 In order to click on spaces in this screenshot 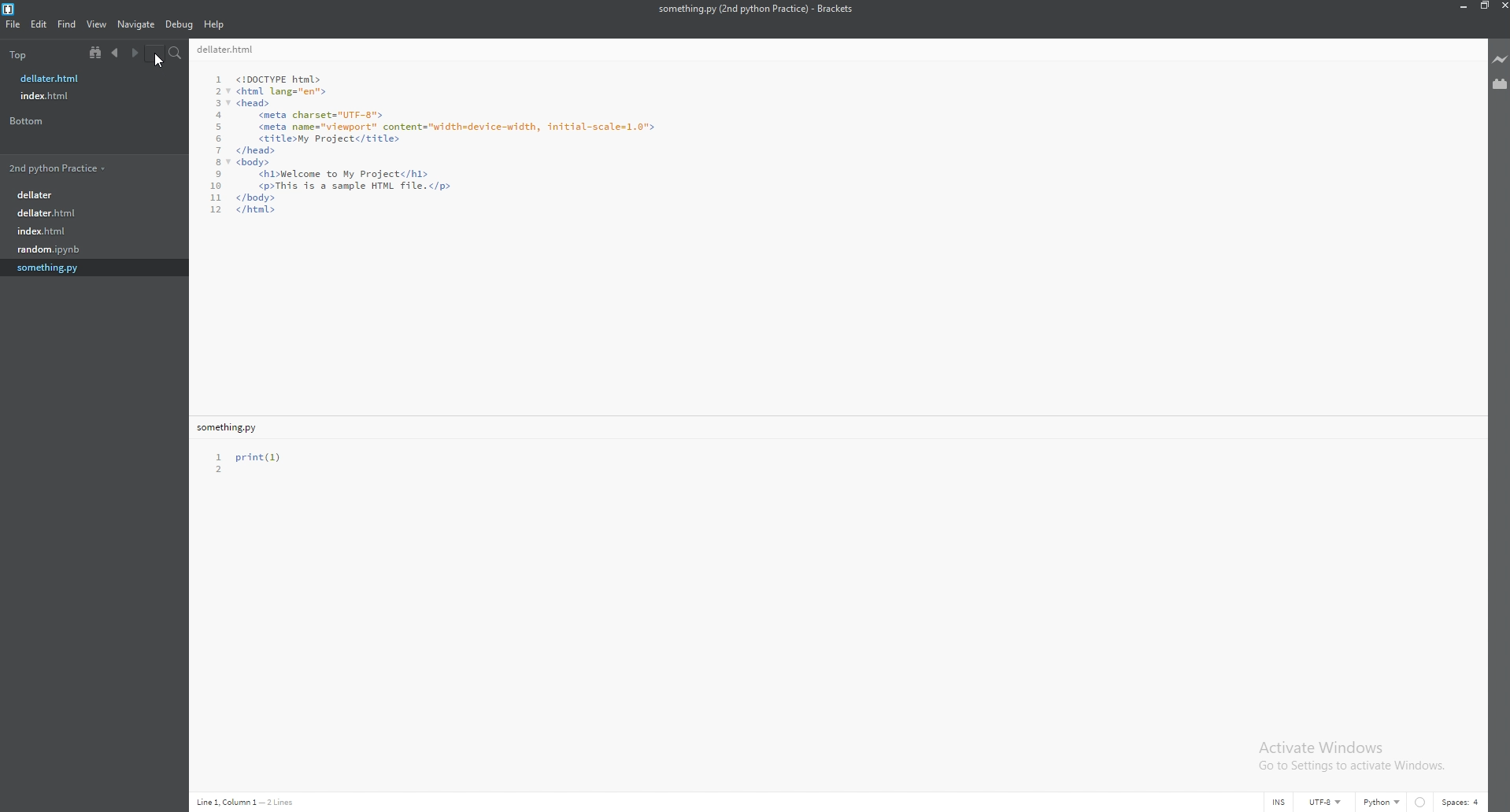, I will do `click(1463, 802)`.